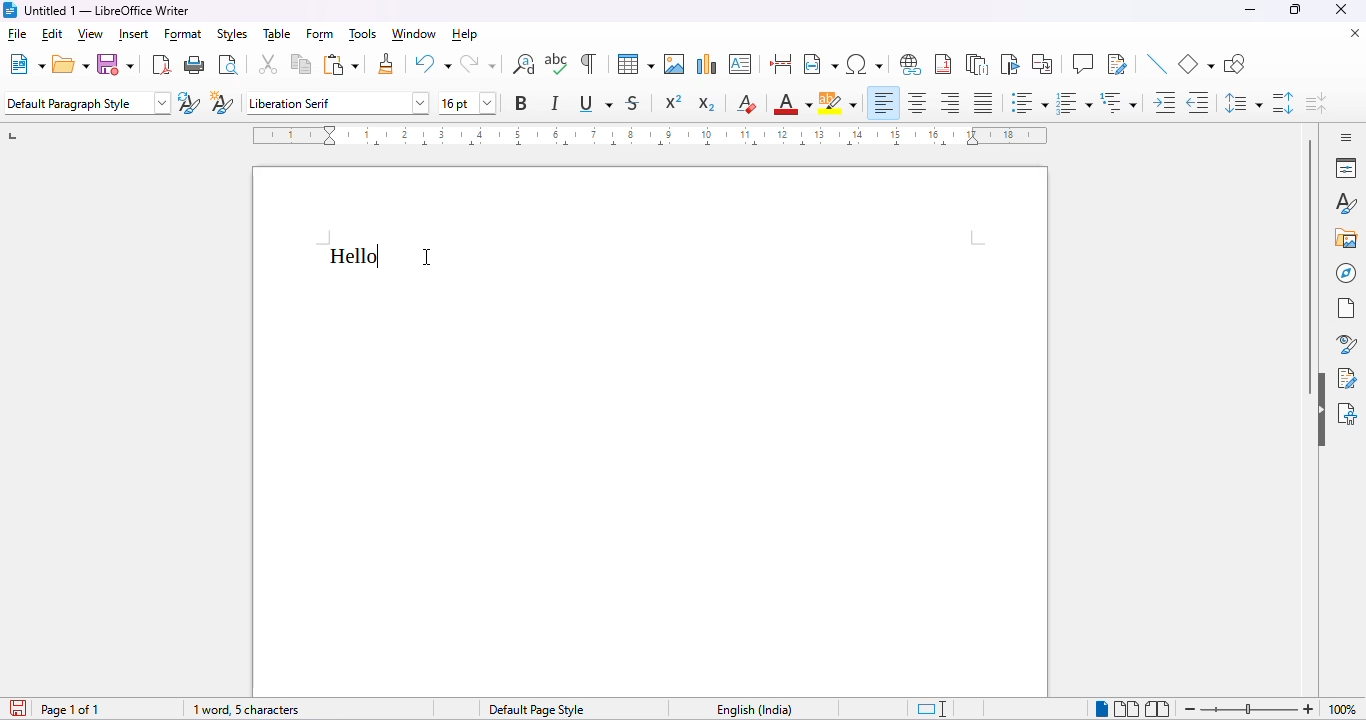  Describe the element at coordinates (232, 34) in the screenshot. I see `styles` at that location.